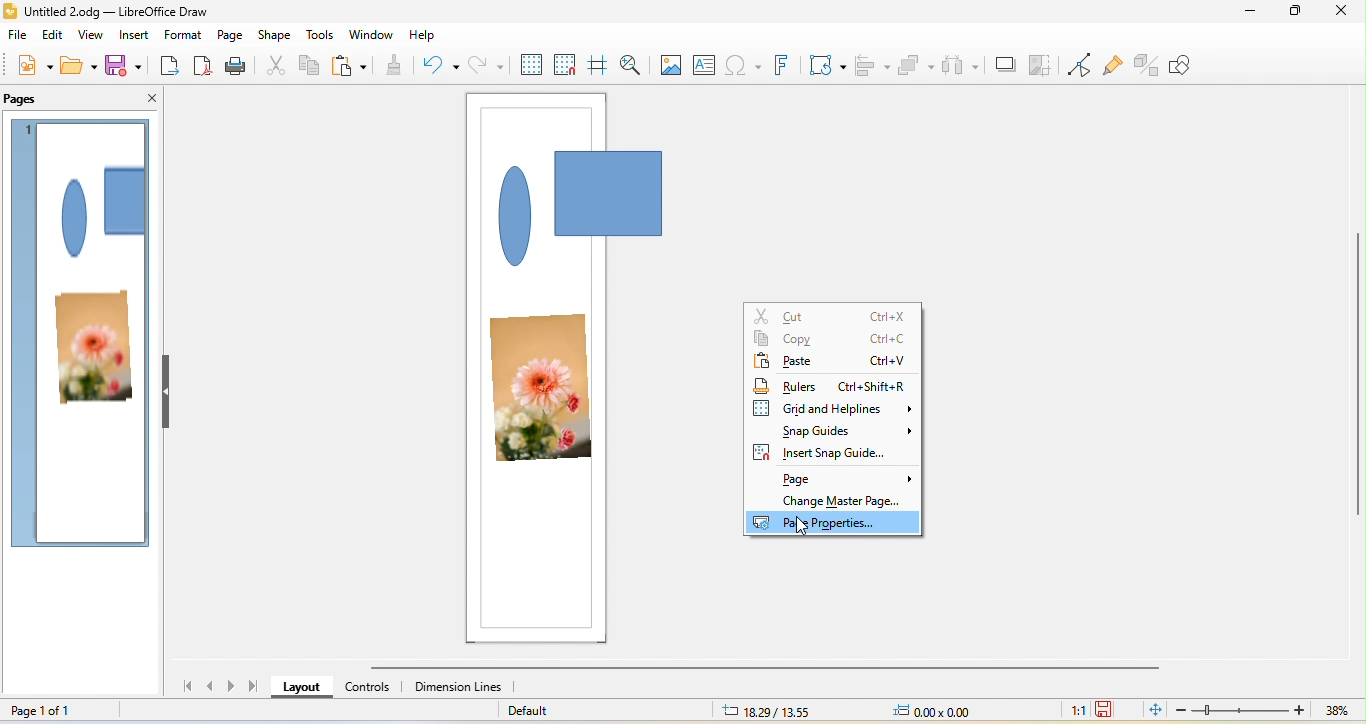 This screenshot has width=1366, height=724. Describe the element at coordinates (29, 128) in the screenshot. I see `page 1` at that location.